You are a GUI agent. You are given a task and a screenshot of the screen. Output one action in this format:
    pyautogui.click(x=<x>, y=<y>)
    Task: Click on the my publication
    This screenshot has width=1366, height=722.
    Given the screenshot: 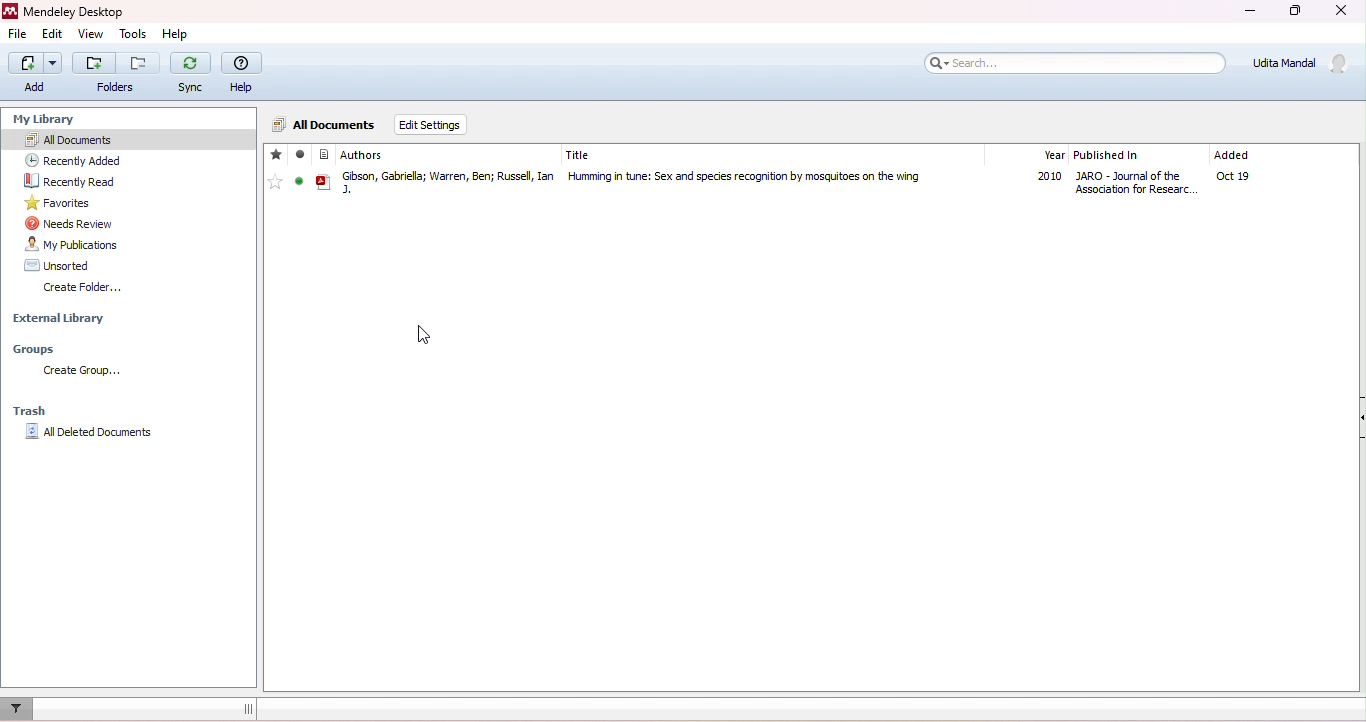 What is the action you would take?
    pyautogui.click(x=71, y=244)
    